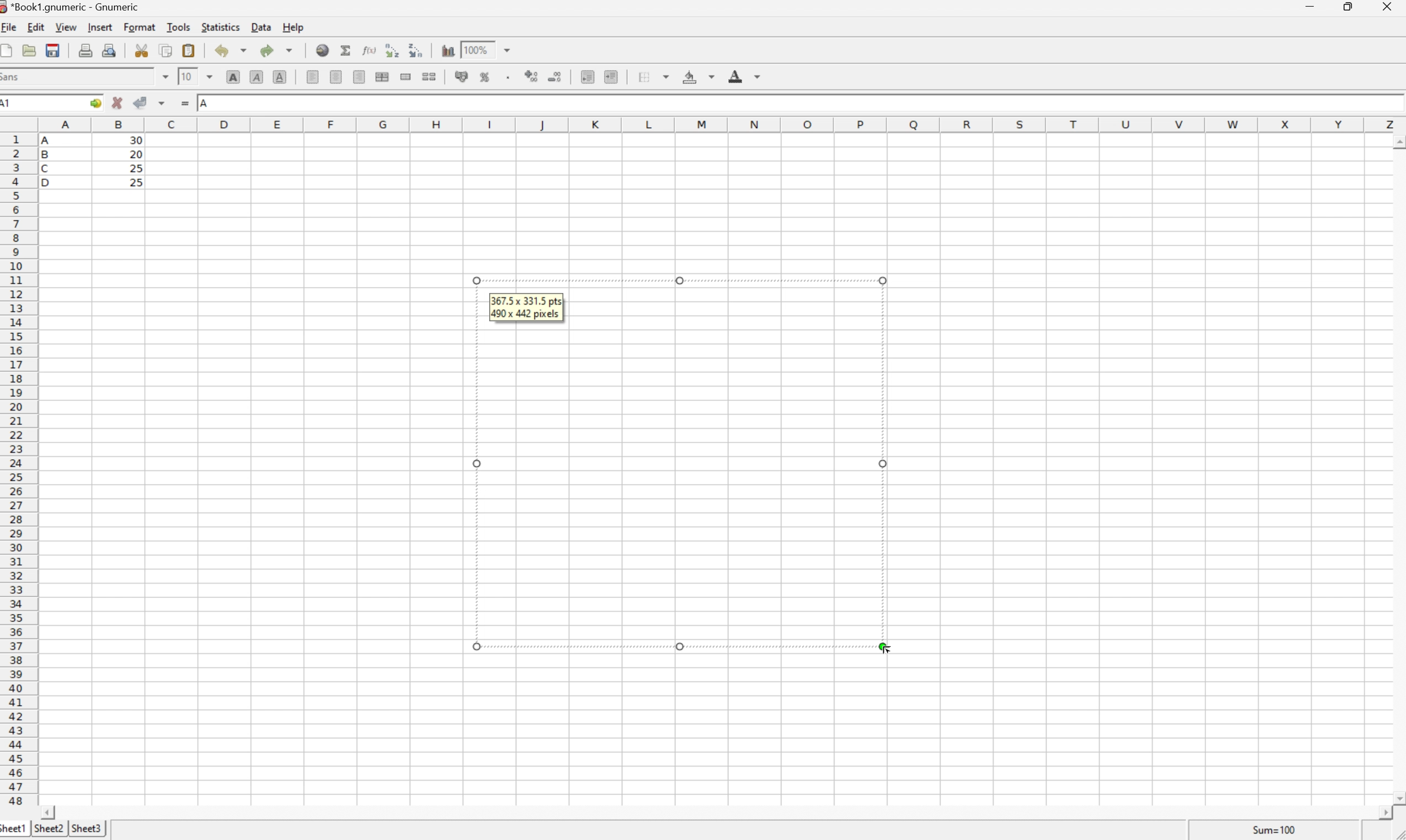 The image size is (1406, 840). Describe the element at coordinates (257, 76) in the screenshot. I see `Italic` at that location.